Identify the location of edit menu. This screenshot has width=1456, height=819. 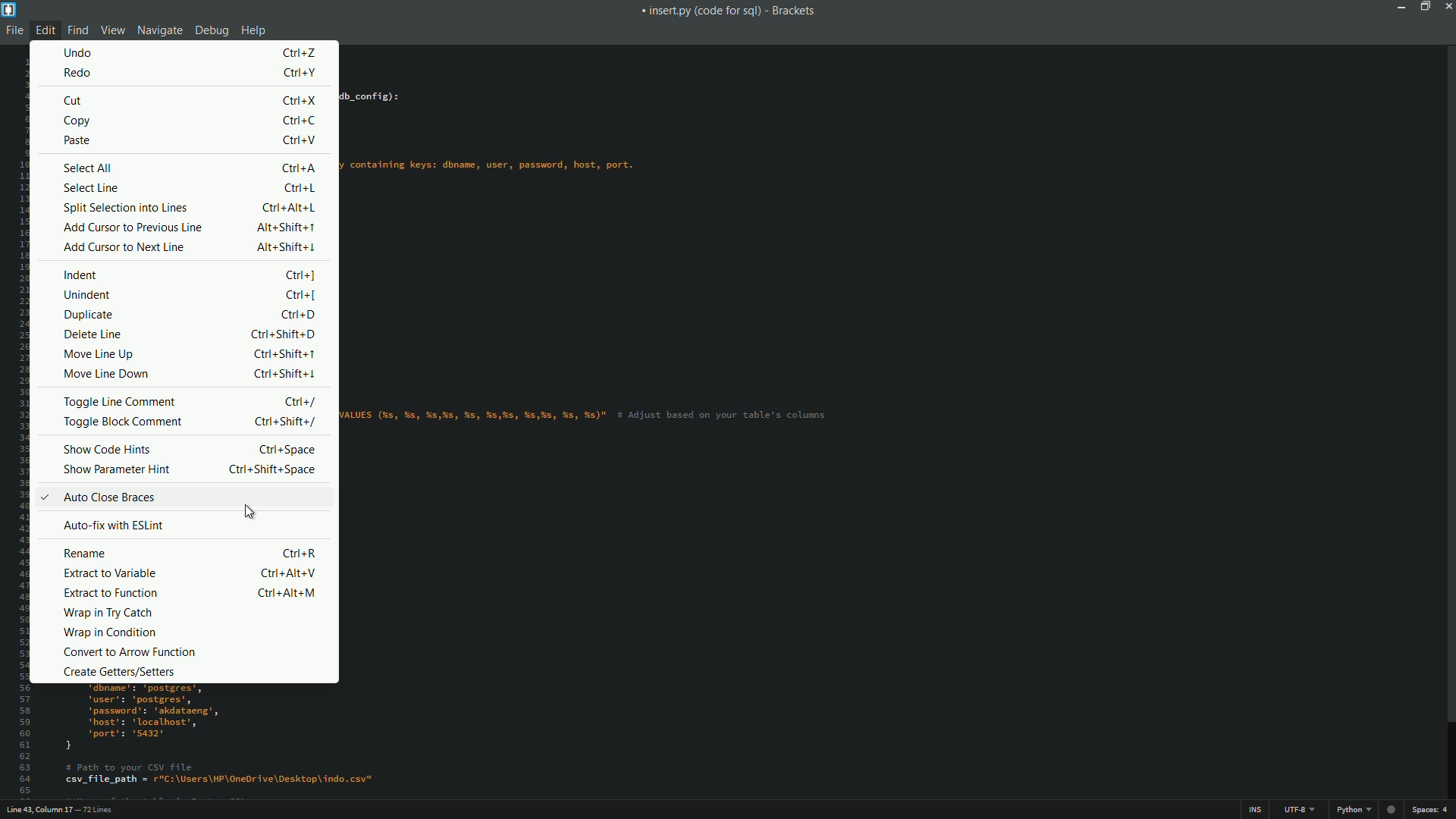
(44, 30).